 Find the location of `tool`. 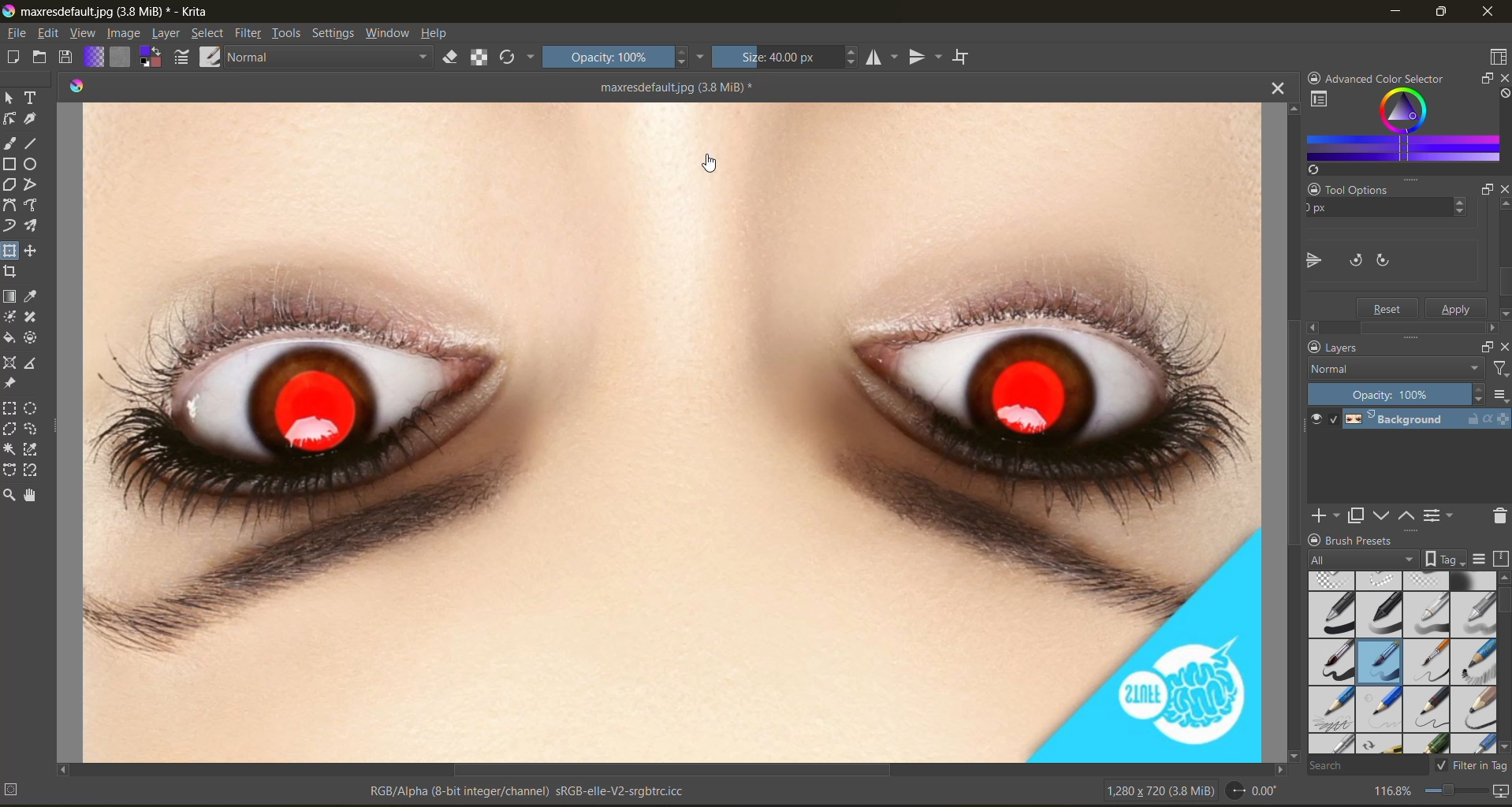

tool is located at coordinates (35, 184).